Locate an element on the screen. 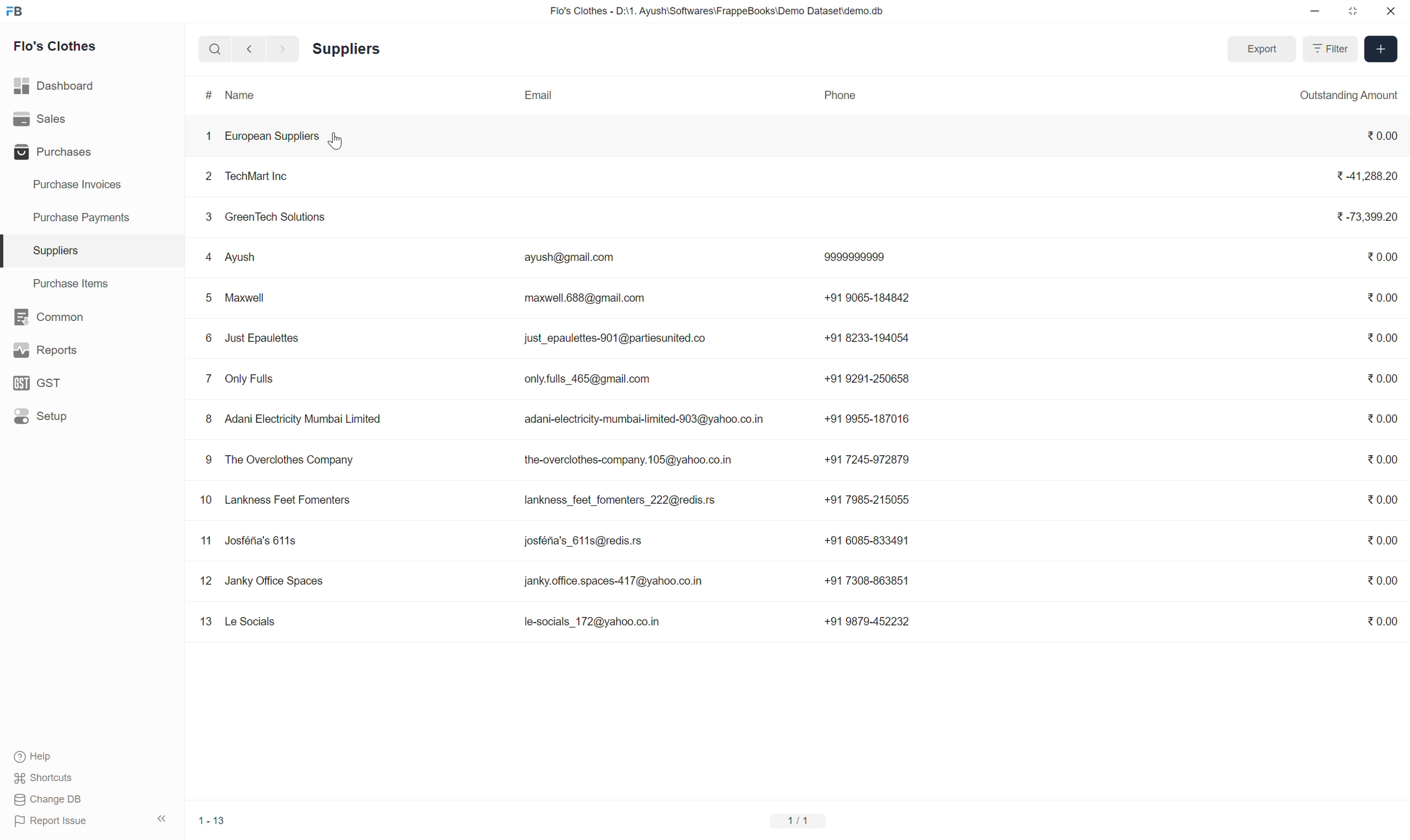 The height and width of the screenshot is (840, 1410). 73,399.20 is located at coordinates (1357, 256).